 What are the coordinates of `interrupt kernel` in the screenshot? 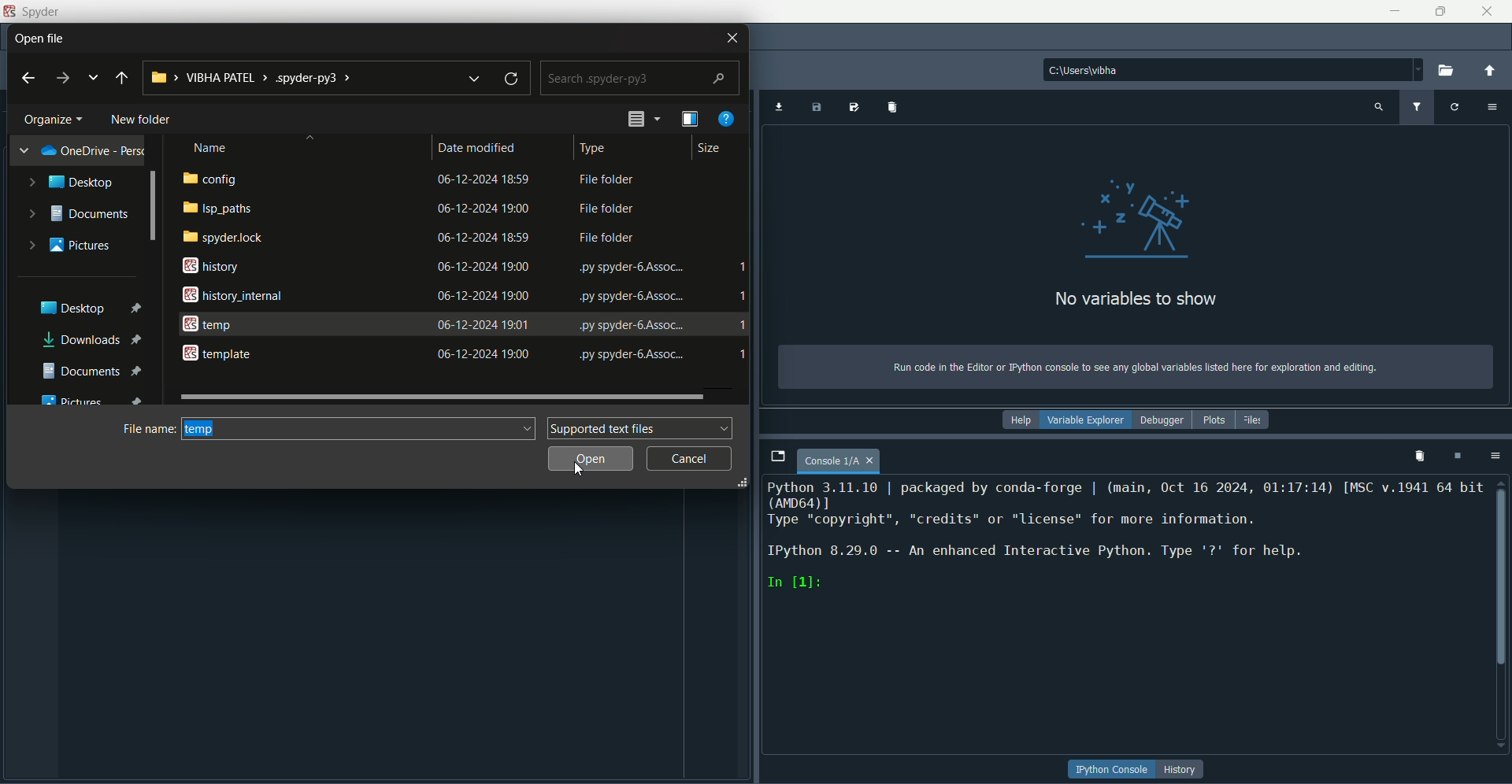 It's located at (1459, 457).